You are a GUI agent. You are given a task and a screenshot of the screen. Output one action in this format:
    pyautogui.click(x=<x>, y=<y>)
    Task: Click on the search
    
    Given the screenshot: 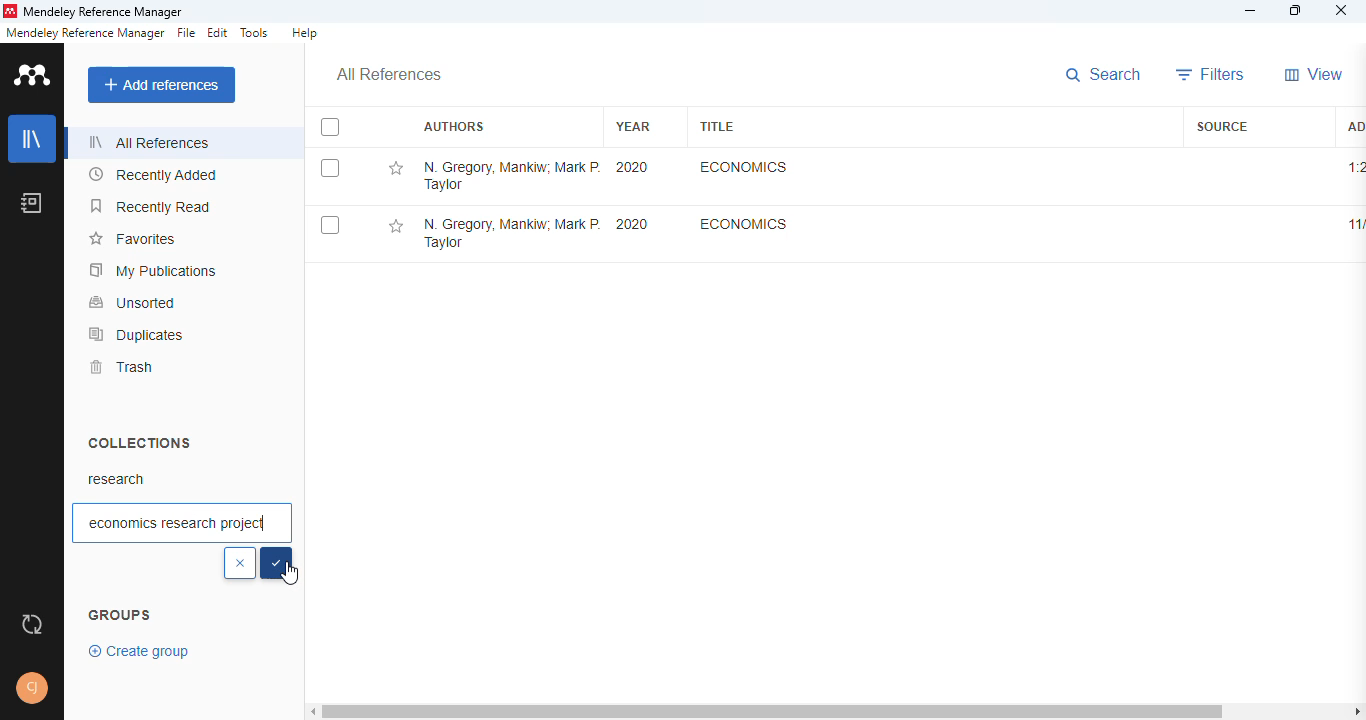 What is the action you would take?
    pyautogui.click(x=1106, y=76)
    